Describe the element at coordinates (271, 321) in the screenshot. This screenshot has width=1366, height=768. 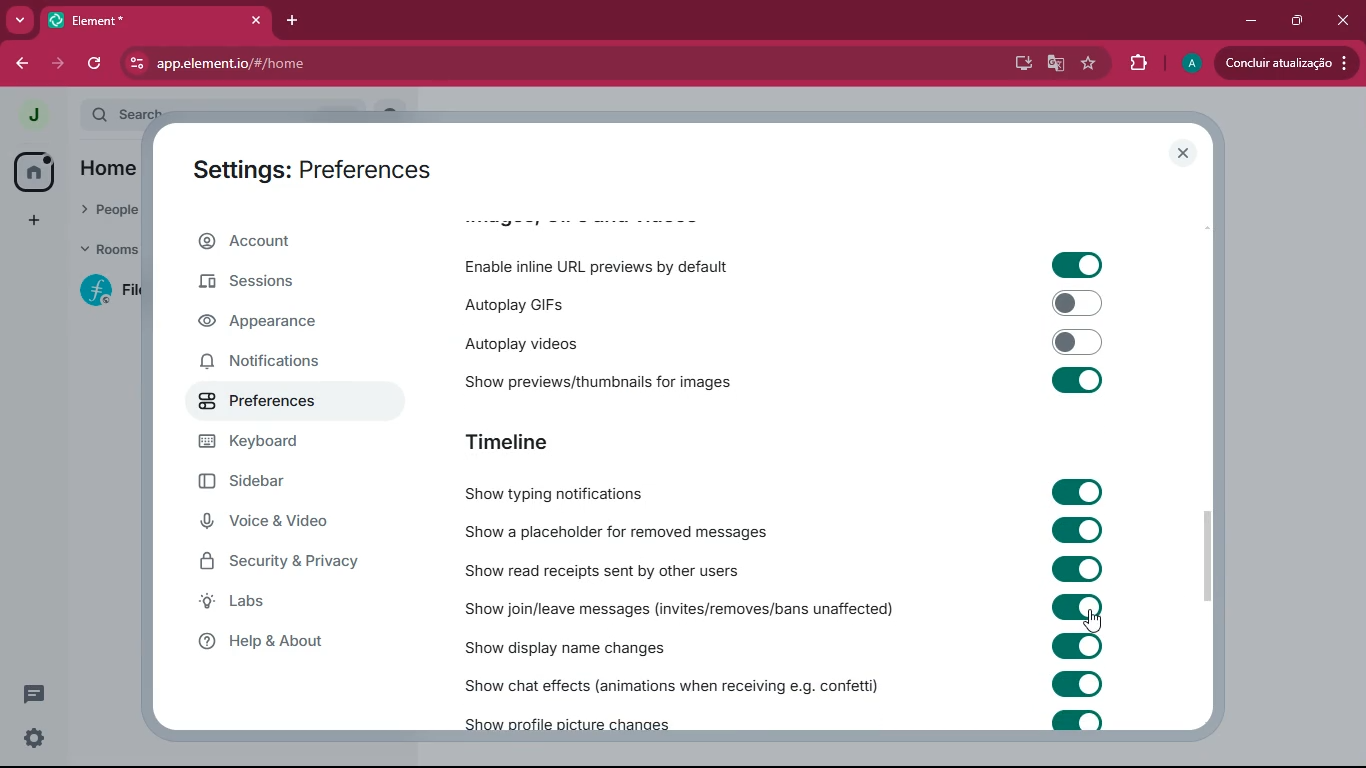
I see `appearance` at that location.